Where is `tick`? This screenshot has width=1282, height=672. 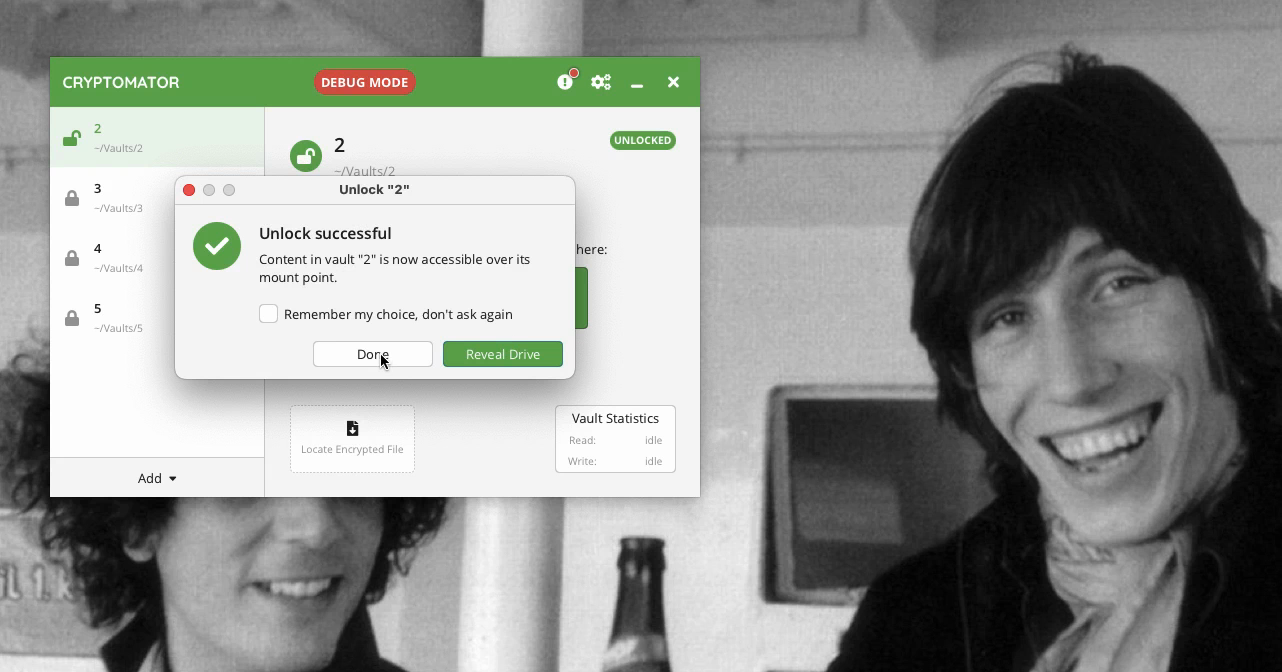
tick is located at coordinates (217, 244).